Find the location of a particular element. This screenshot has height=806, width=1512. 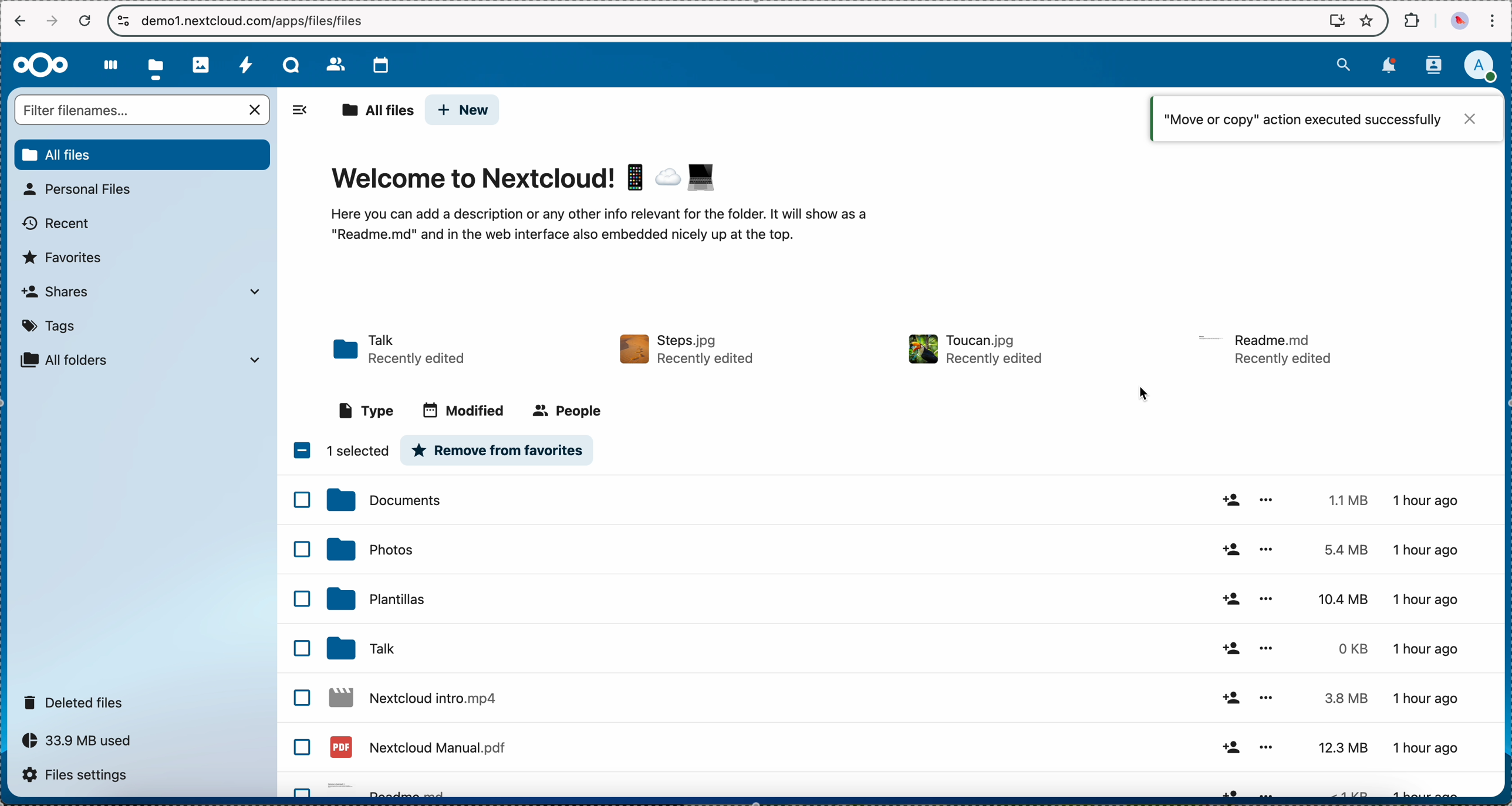

click on files is located at coordinates (158, 65).